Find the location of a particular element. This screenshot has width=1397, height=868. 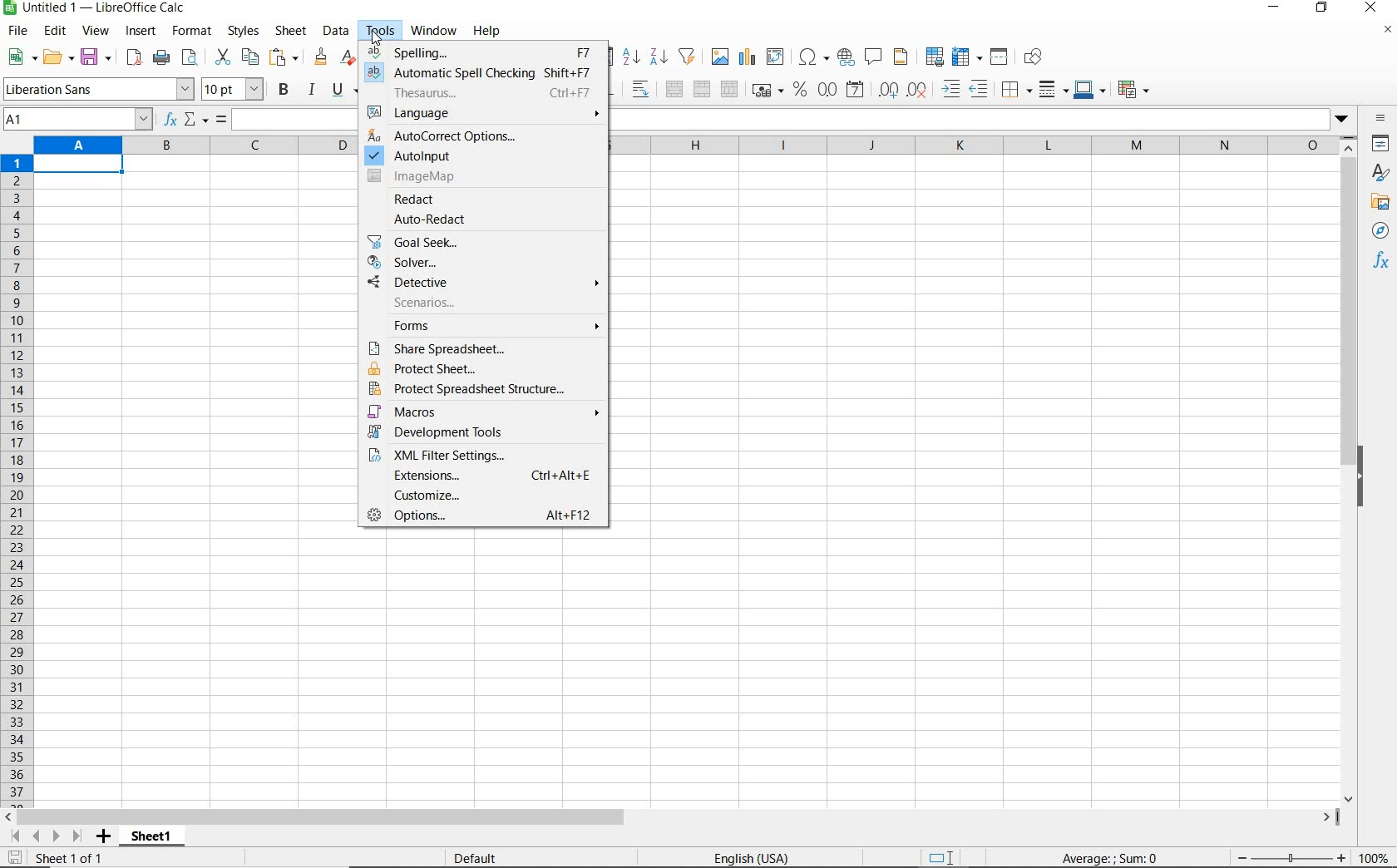

sheet is located at coordinates (291, 30).